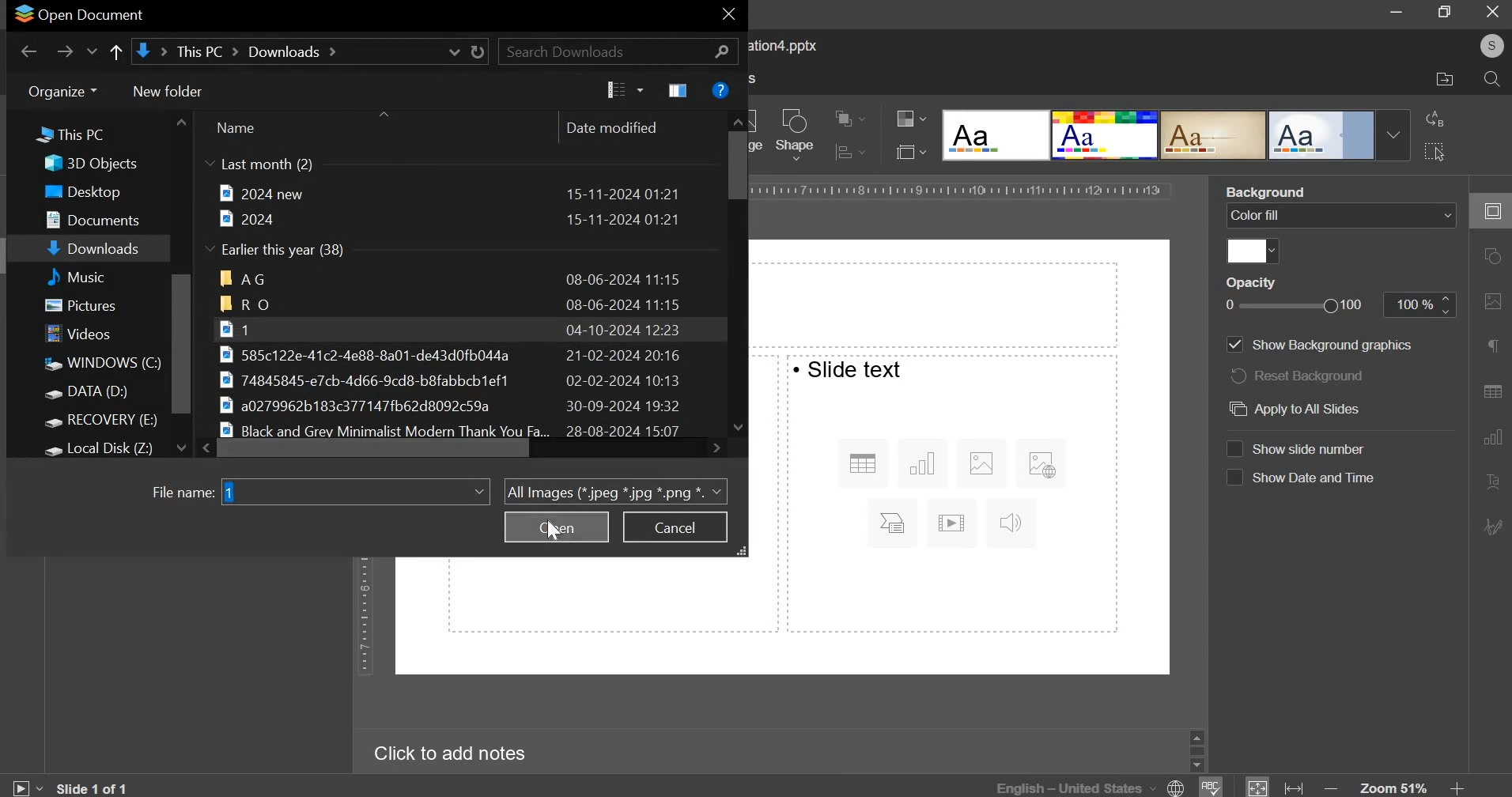 Image resolution: width=1512 pixels, height=797 pixels. What do you see at coordinates (845, 116) in the screenshot?
I see `arrangement` at bounding box center [845, 116].